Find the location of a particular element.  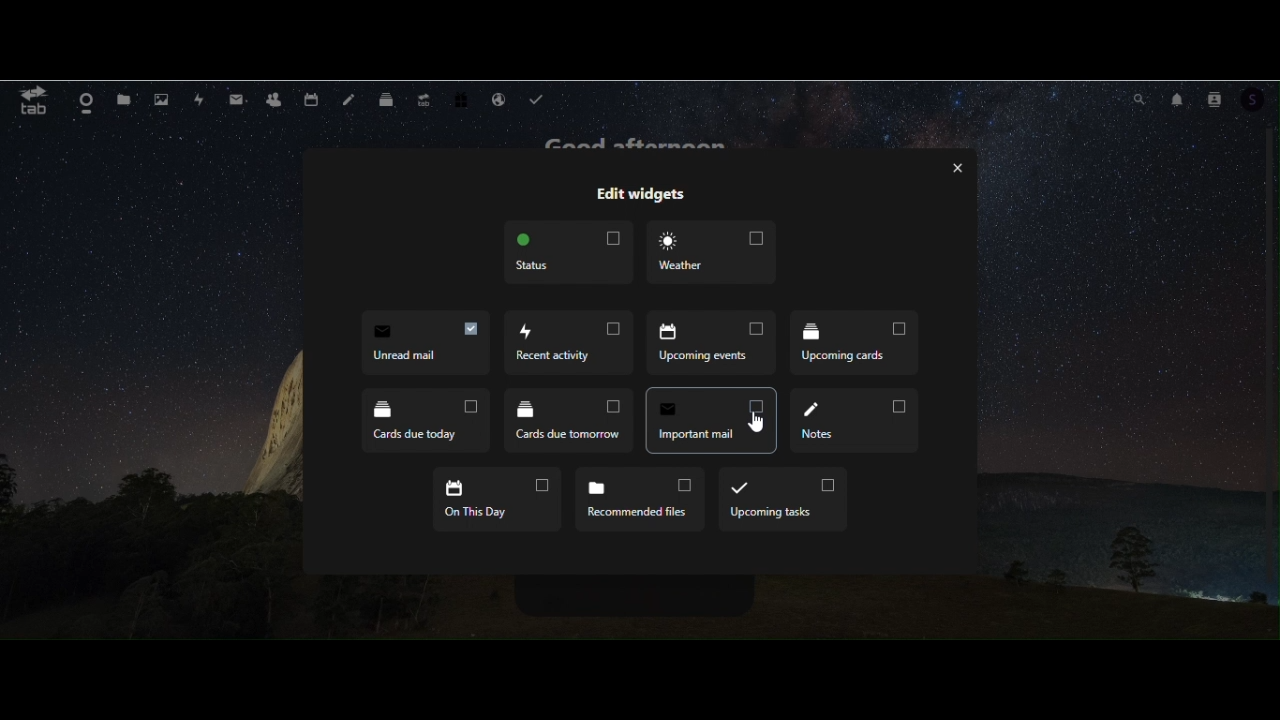

unread mail enabled is located at coordinates (425, 343).